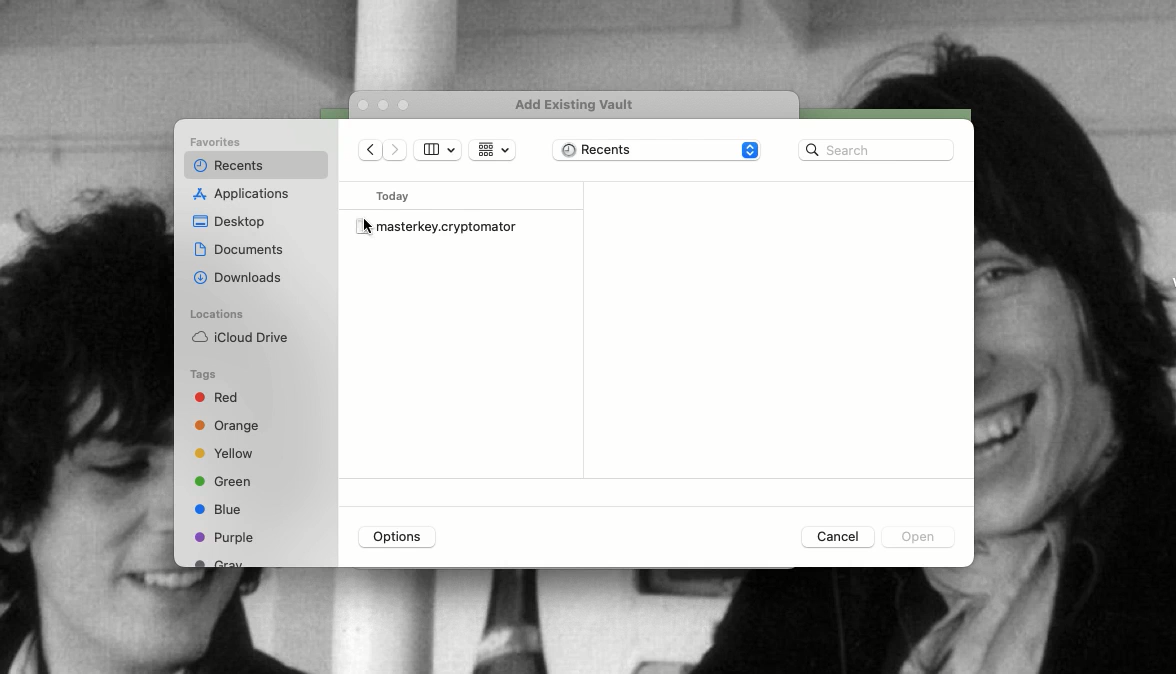  What do you see at coordinates (239, 337) in the screenshot?
I see `iCloud Drive` at bounding box center [239, 337].